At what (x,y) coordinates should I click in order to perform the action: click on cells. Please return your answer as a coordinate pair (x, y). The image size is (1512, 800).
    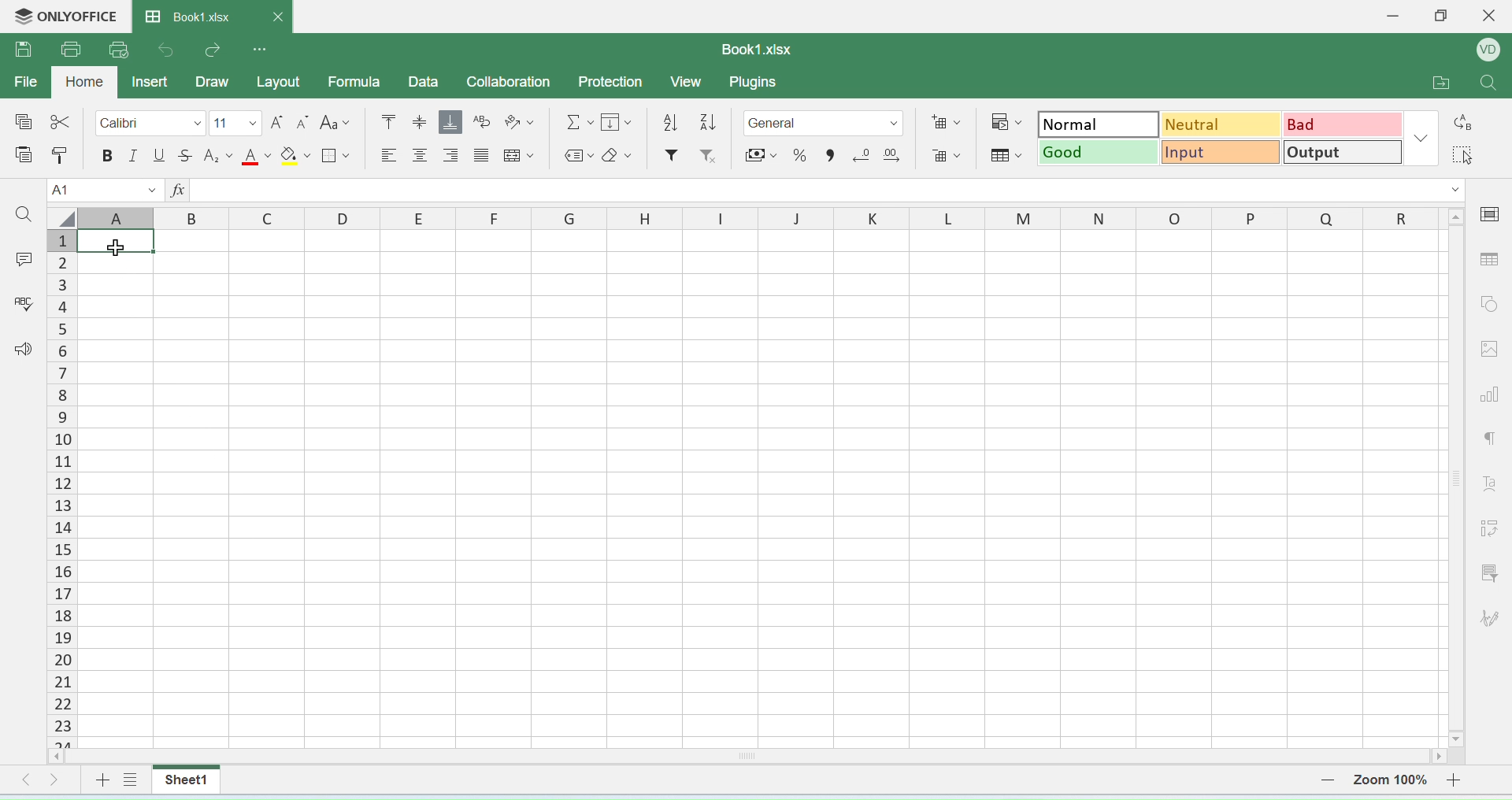
    Looking at the image, I should click on (762, 489).